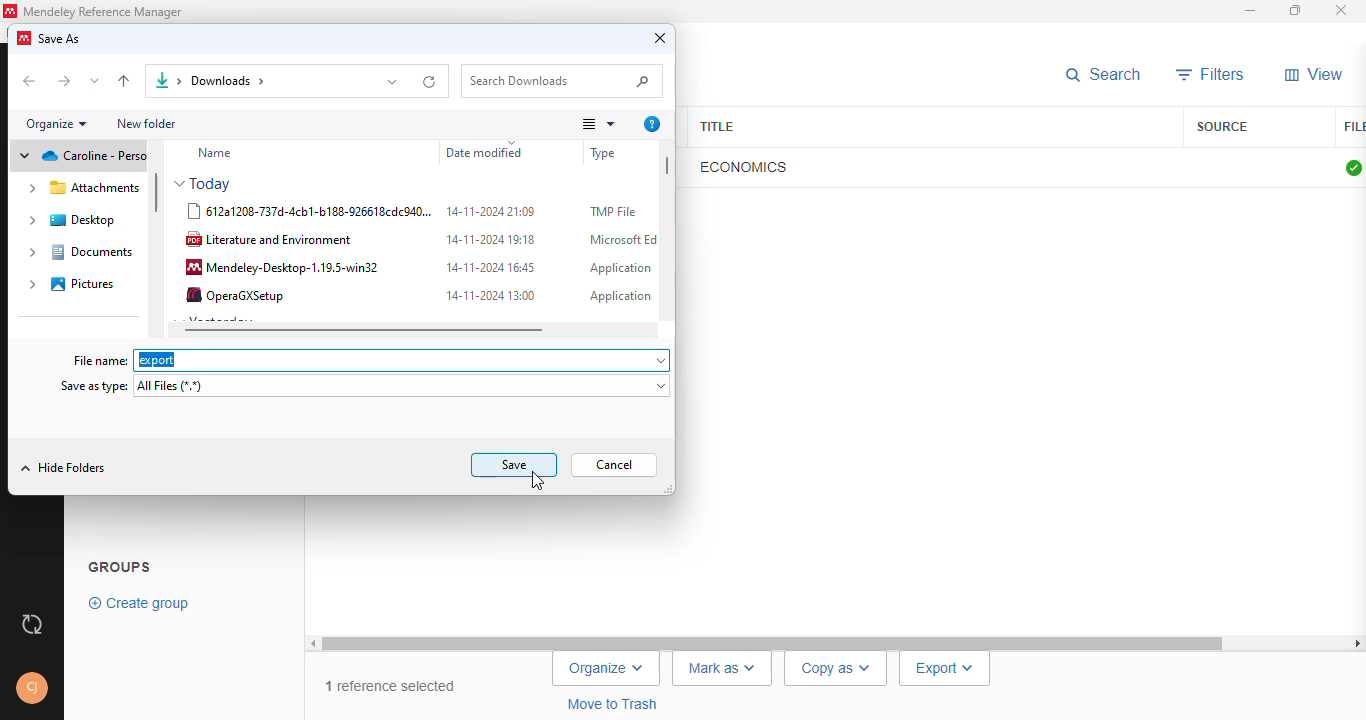 This screenshot has height=720, width=1366. What do you see at coordinates (1210, 75) in the screenshot?
I see `filters` at bounding box center [1210, 75].